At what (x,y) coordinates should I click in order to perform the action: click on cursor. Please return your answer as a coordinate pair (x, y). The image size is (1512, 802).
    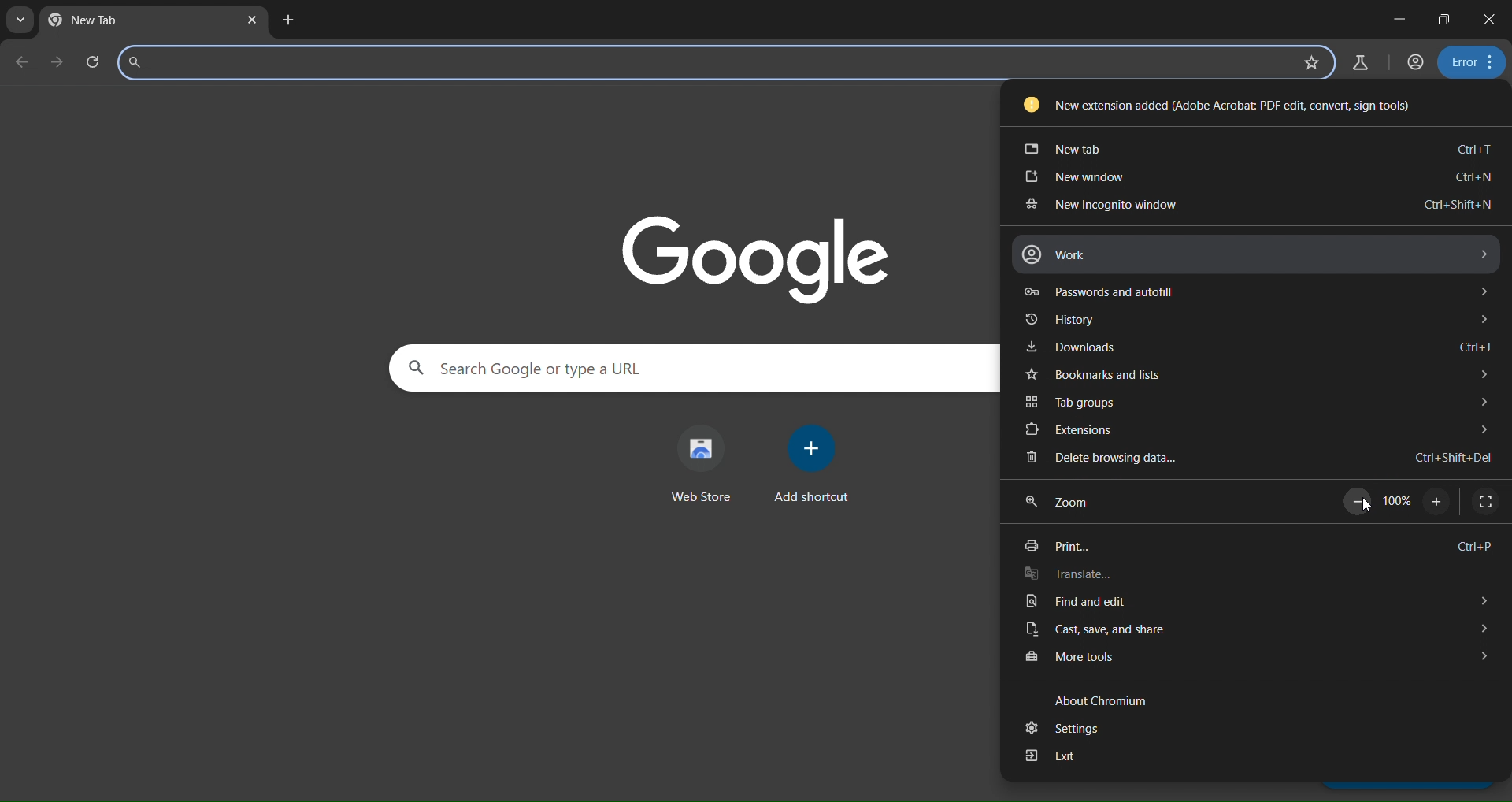
    Looking at the image, I should click on (1366, 511).